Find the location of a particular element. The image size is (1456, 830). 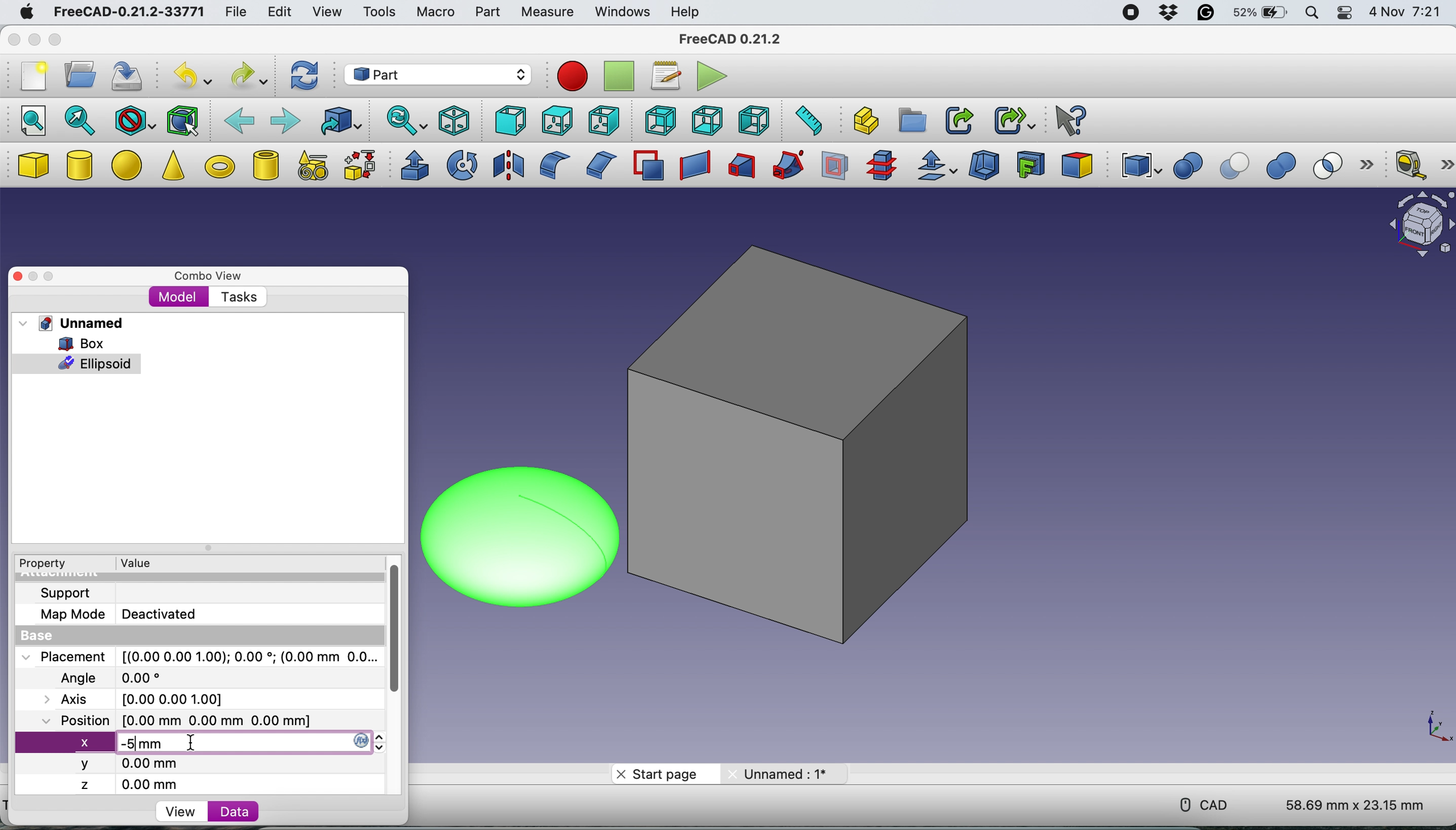

workbench is located at coordinates (437, 74).